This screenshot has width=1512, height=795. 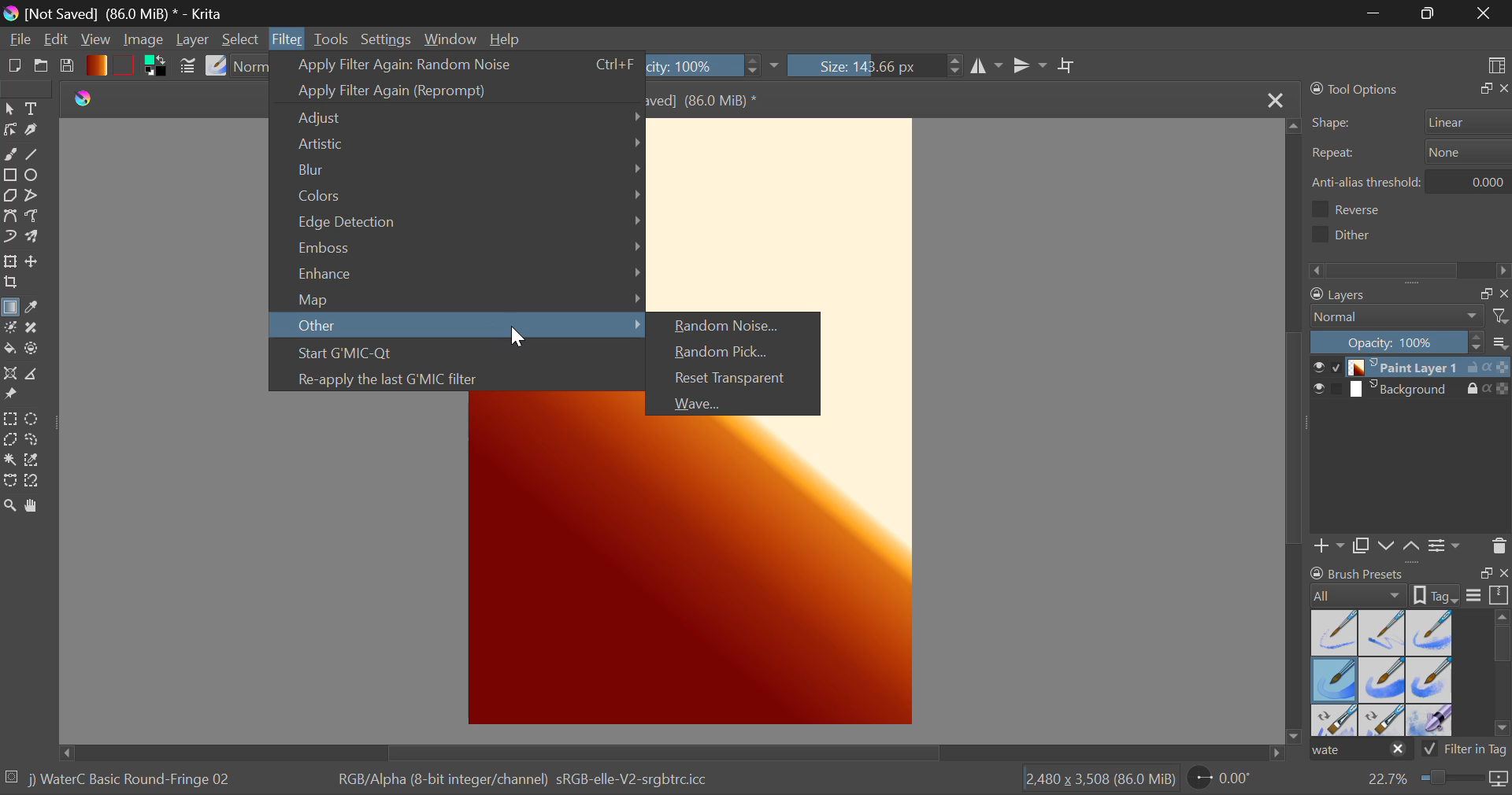 What do you see at coordinates (668, 753) in the screenshot?
I see `Scroll Bar` at bounding box center [668, 753].